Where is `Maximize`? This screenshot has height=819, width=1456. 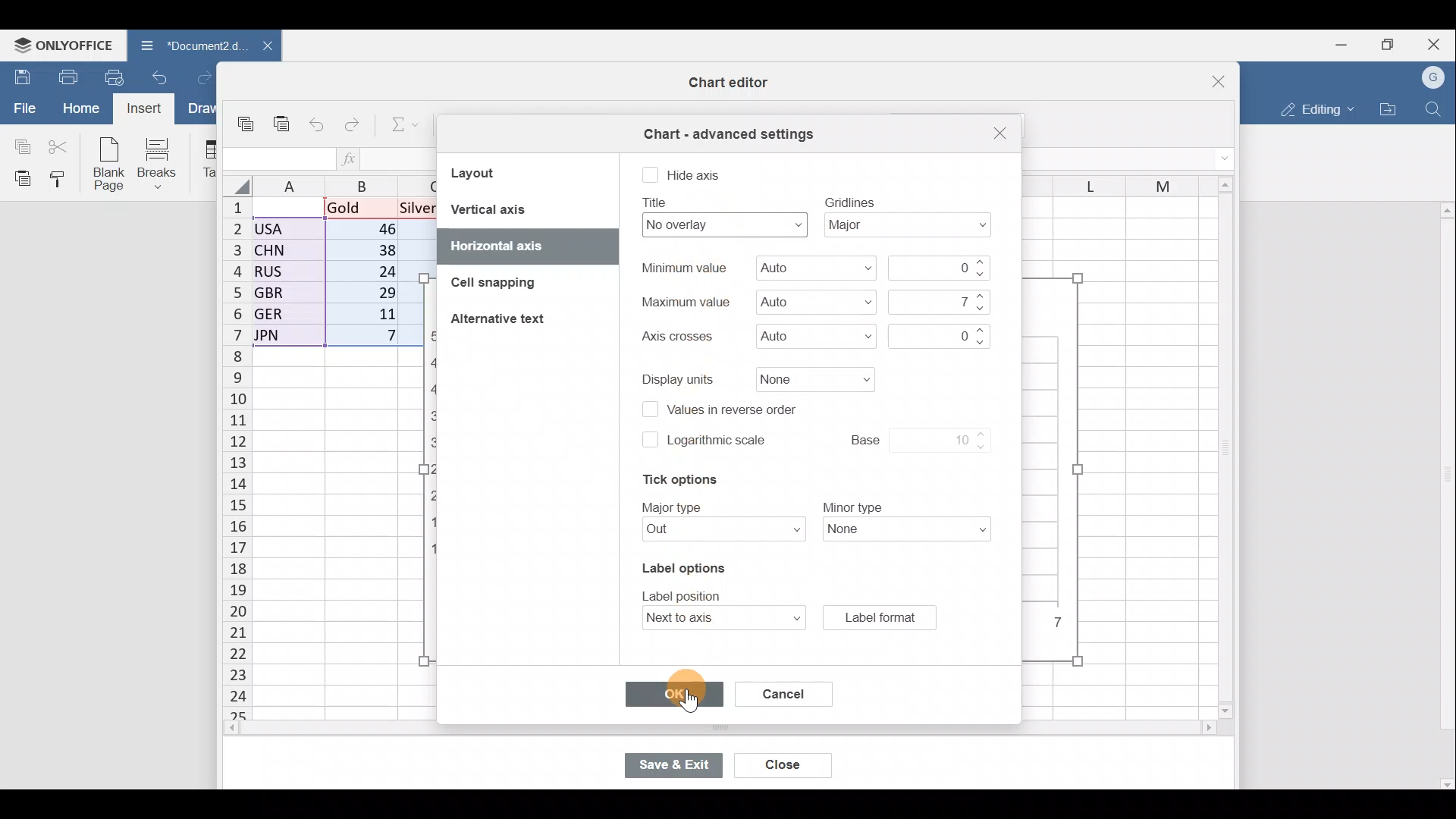
Maximize is located at coordinates (1387, 45).